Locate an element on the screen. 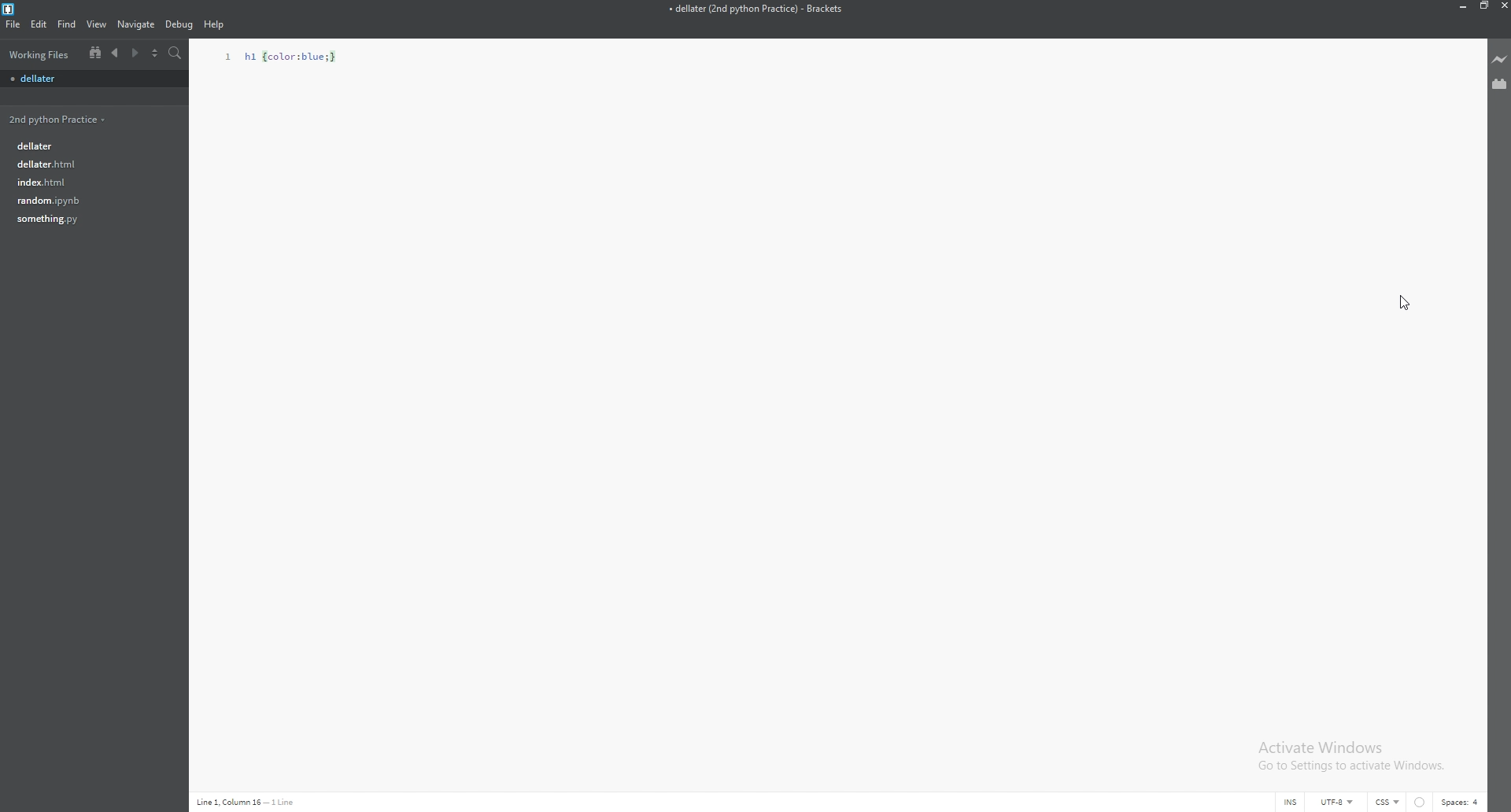  edit is located at coordinates (39, 24).